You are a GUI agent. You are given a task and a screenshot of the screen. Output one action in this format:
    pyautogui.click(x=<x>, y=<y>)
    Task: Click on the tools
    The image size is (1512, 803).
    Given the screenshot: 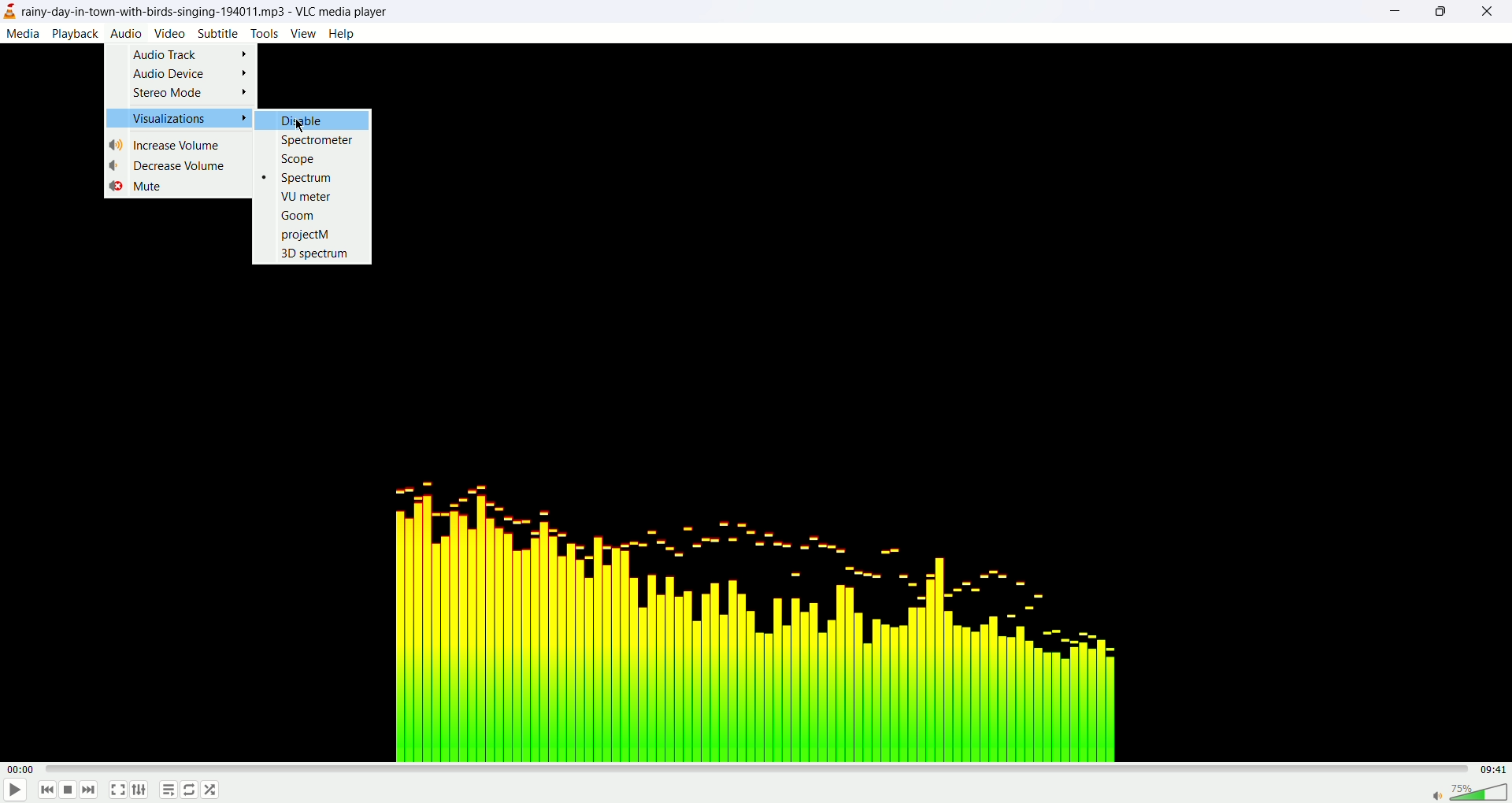 What is the action you would take?
    pyautogui.click(x=265, y=33)
    